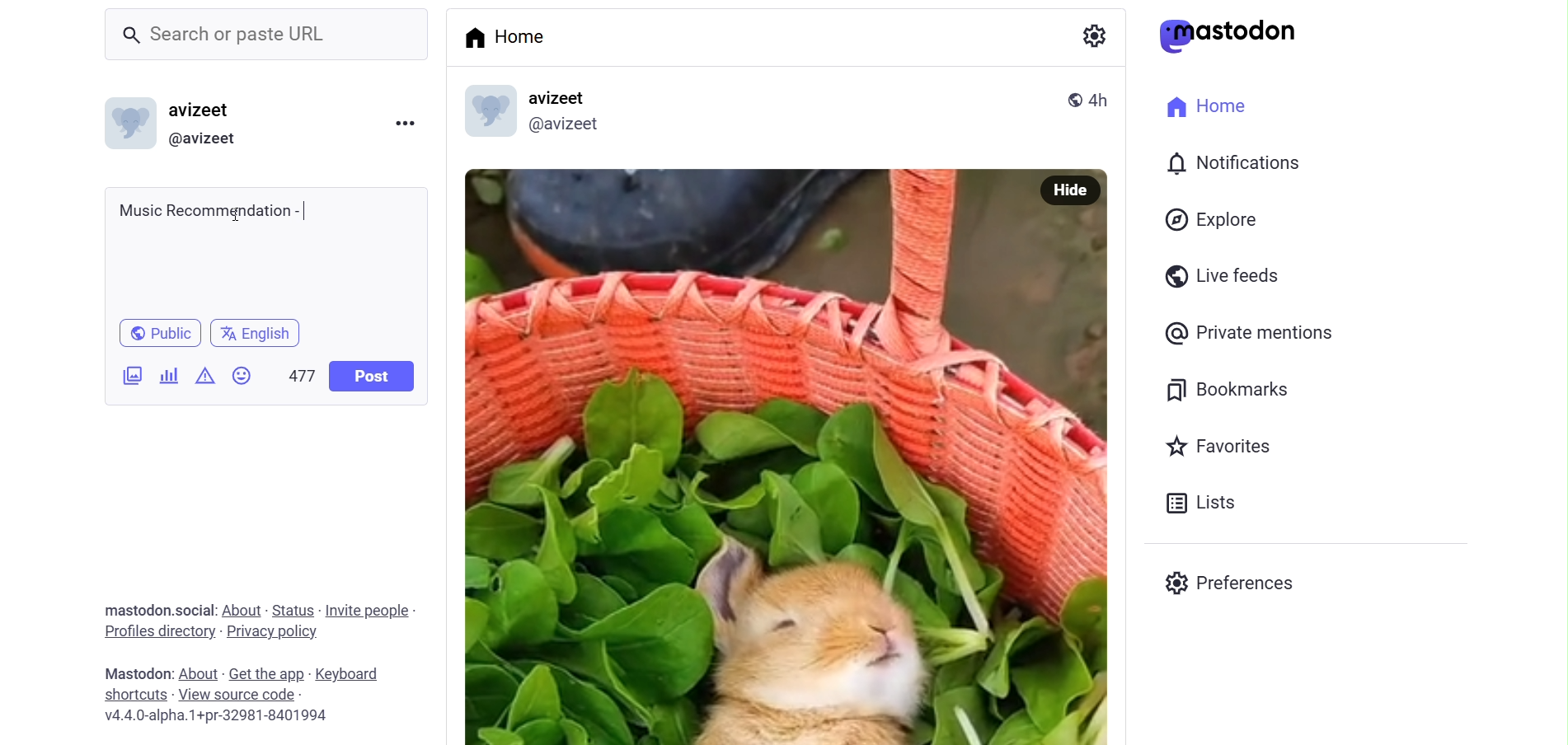  I want to click on english, so click(256, 332).